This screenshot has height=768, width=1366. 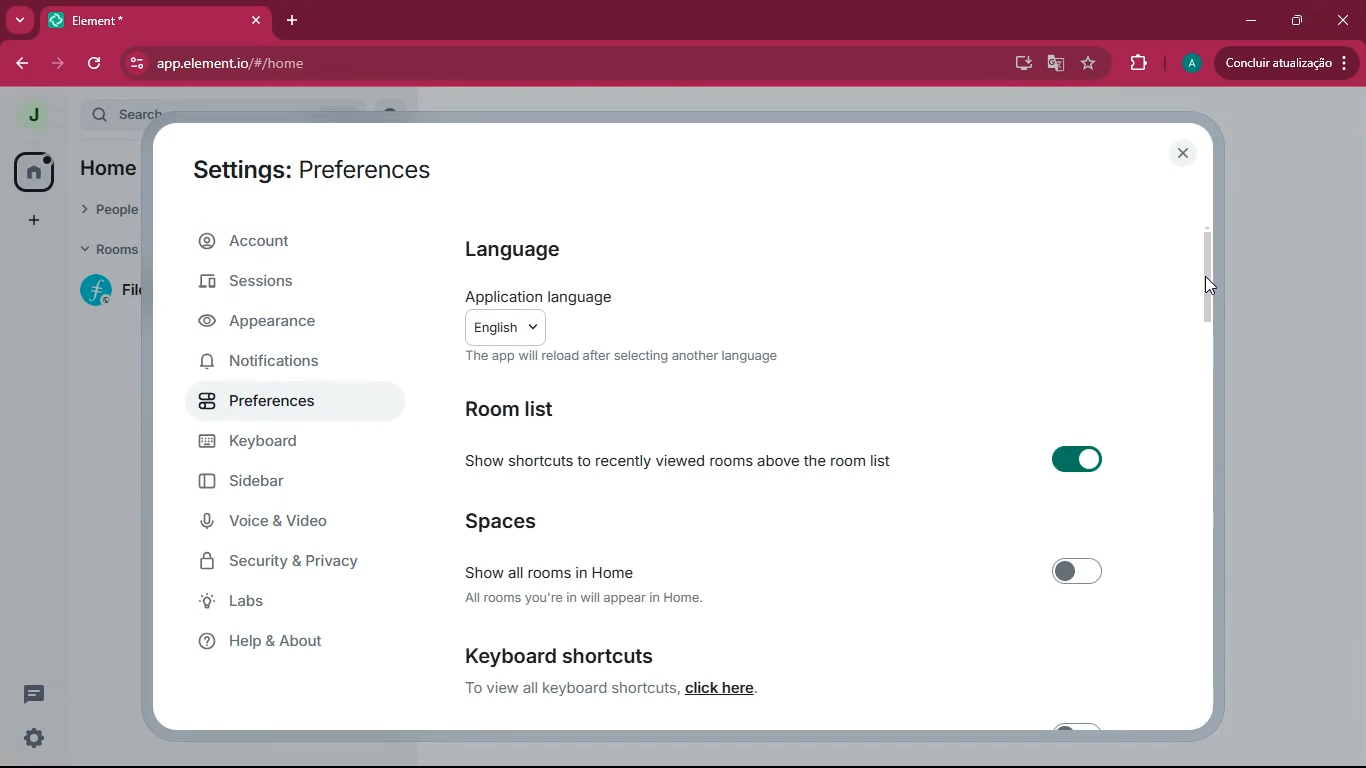 I want to click on room list, so click(x=522, y=410).